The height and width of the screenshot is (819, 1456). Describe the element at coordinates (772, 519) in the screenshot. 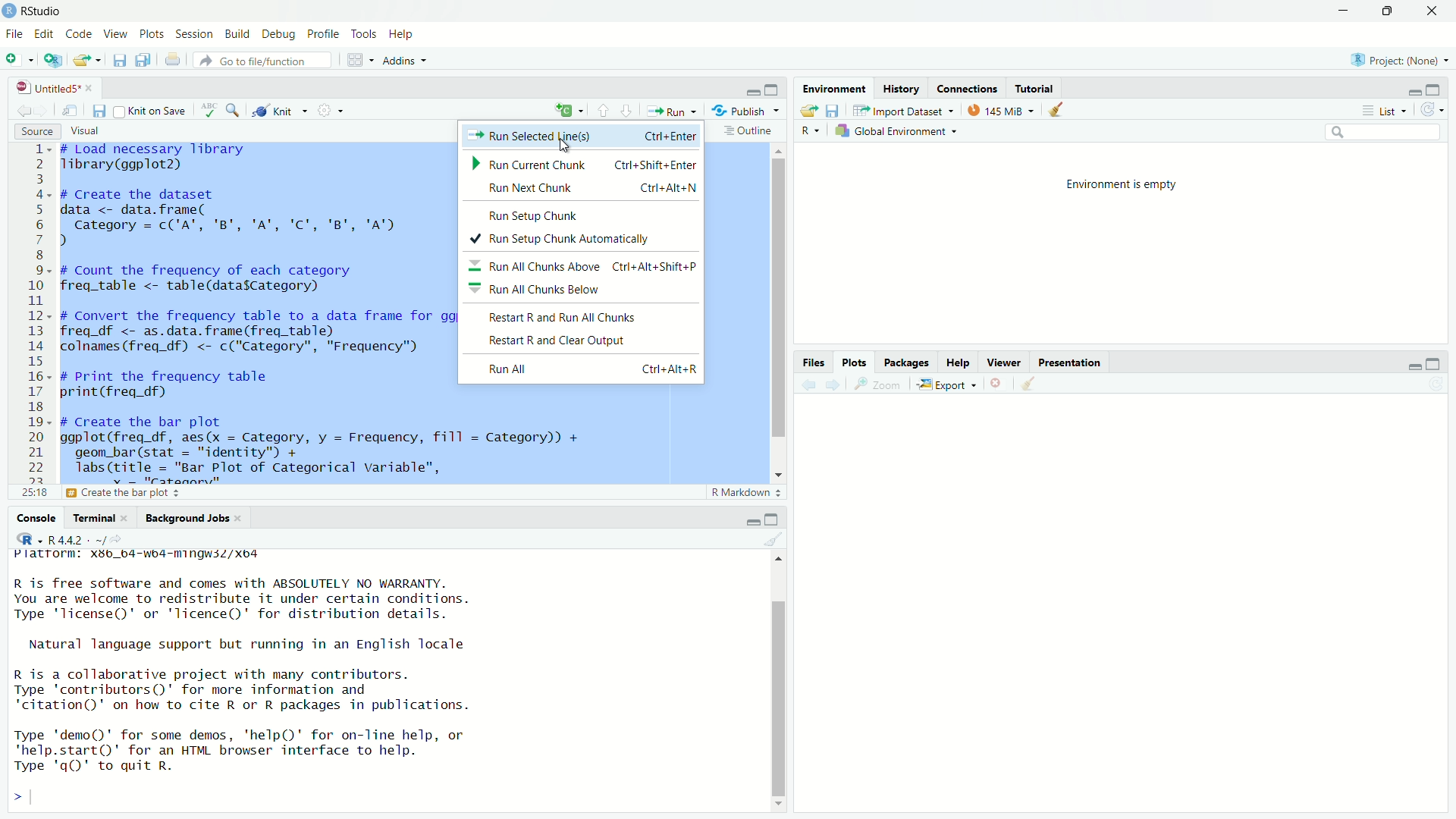

I see `maximize` at that location.